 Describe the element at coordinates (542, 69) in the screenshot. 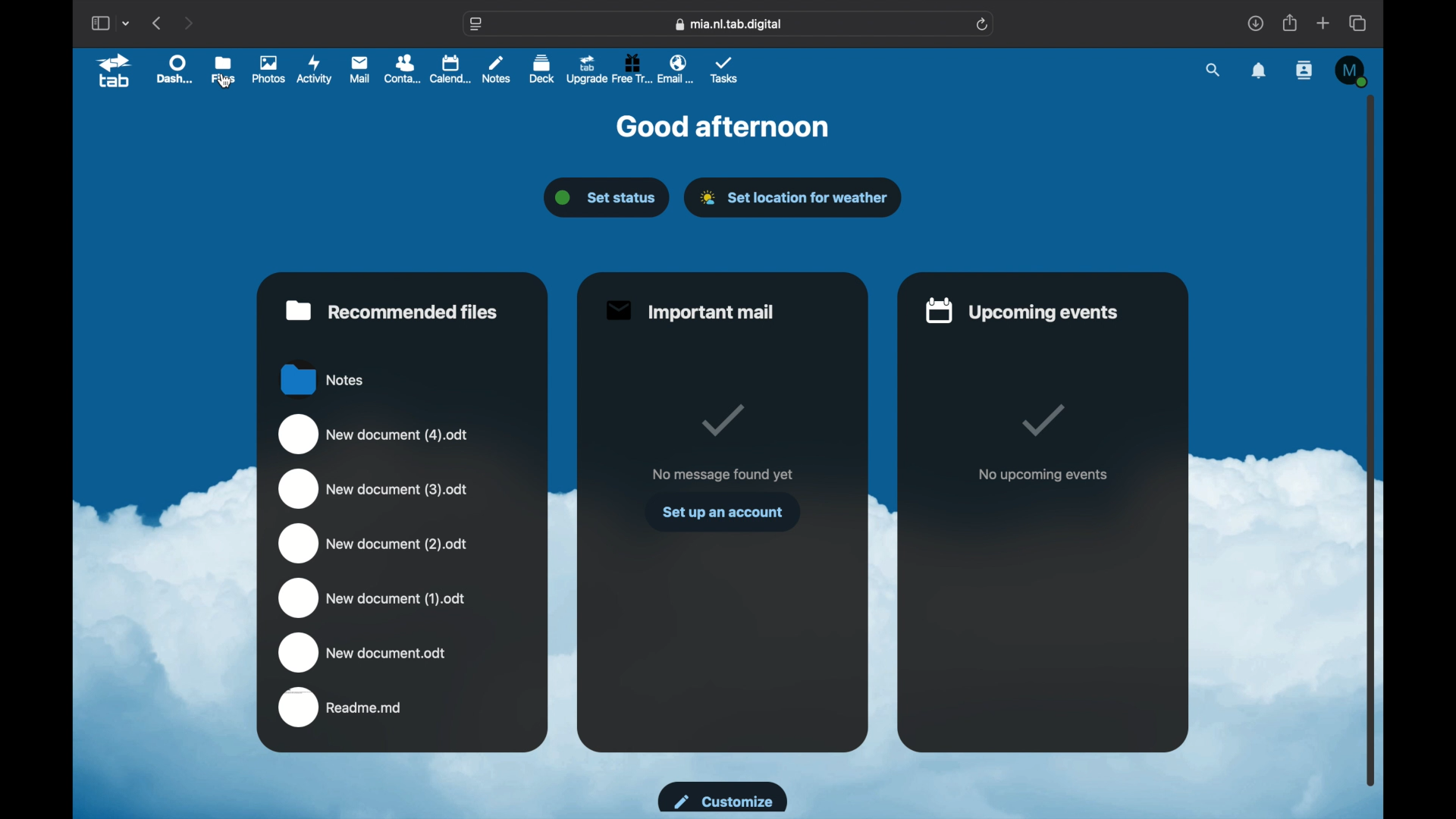

I see `deck` at that location.